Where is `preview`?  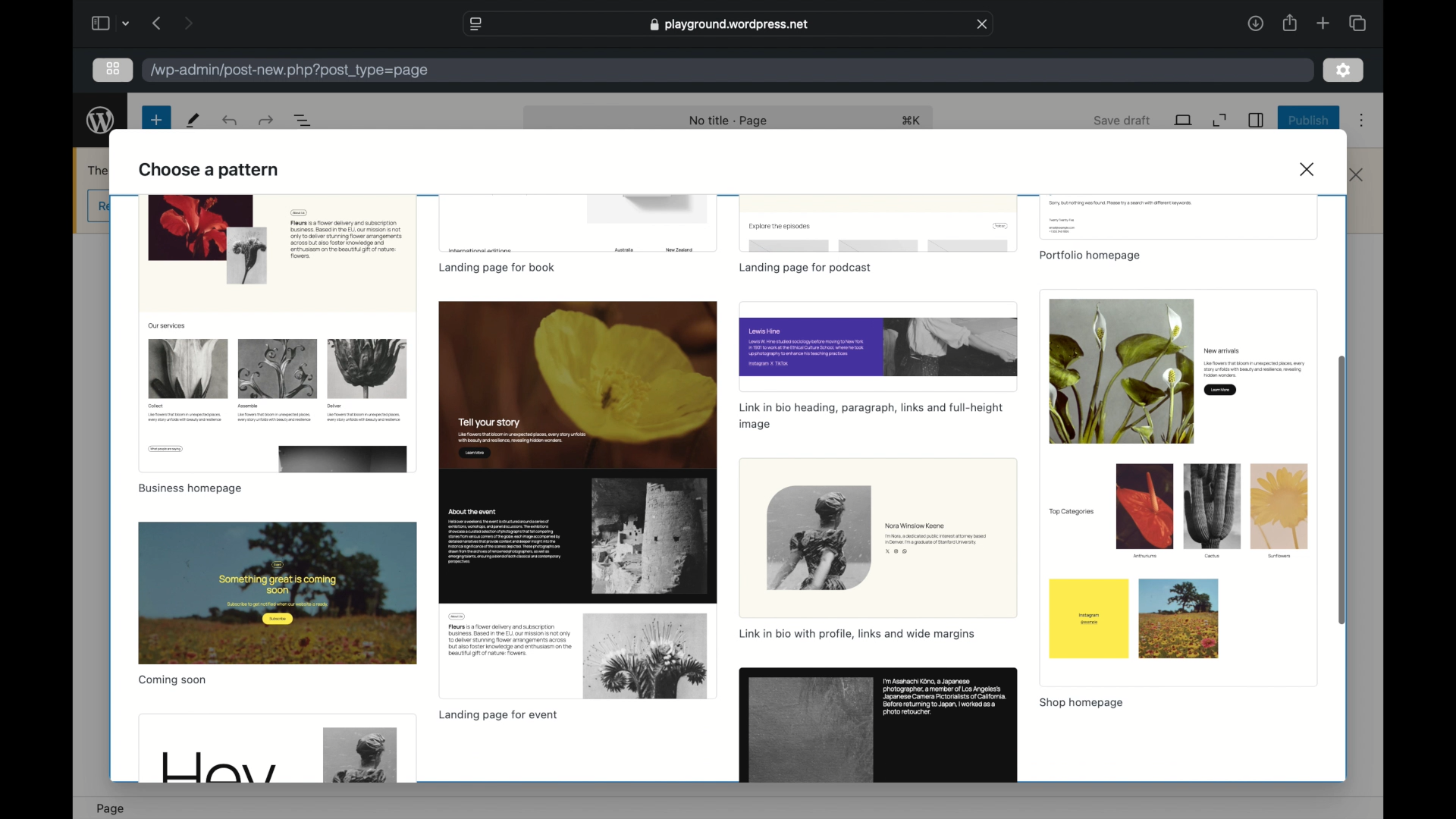 preview is located at coordinates (579, 224).